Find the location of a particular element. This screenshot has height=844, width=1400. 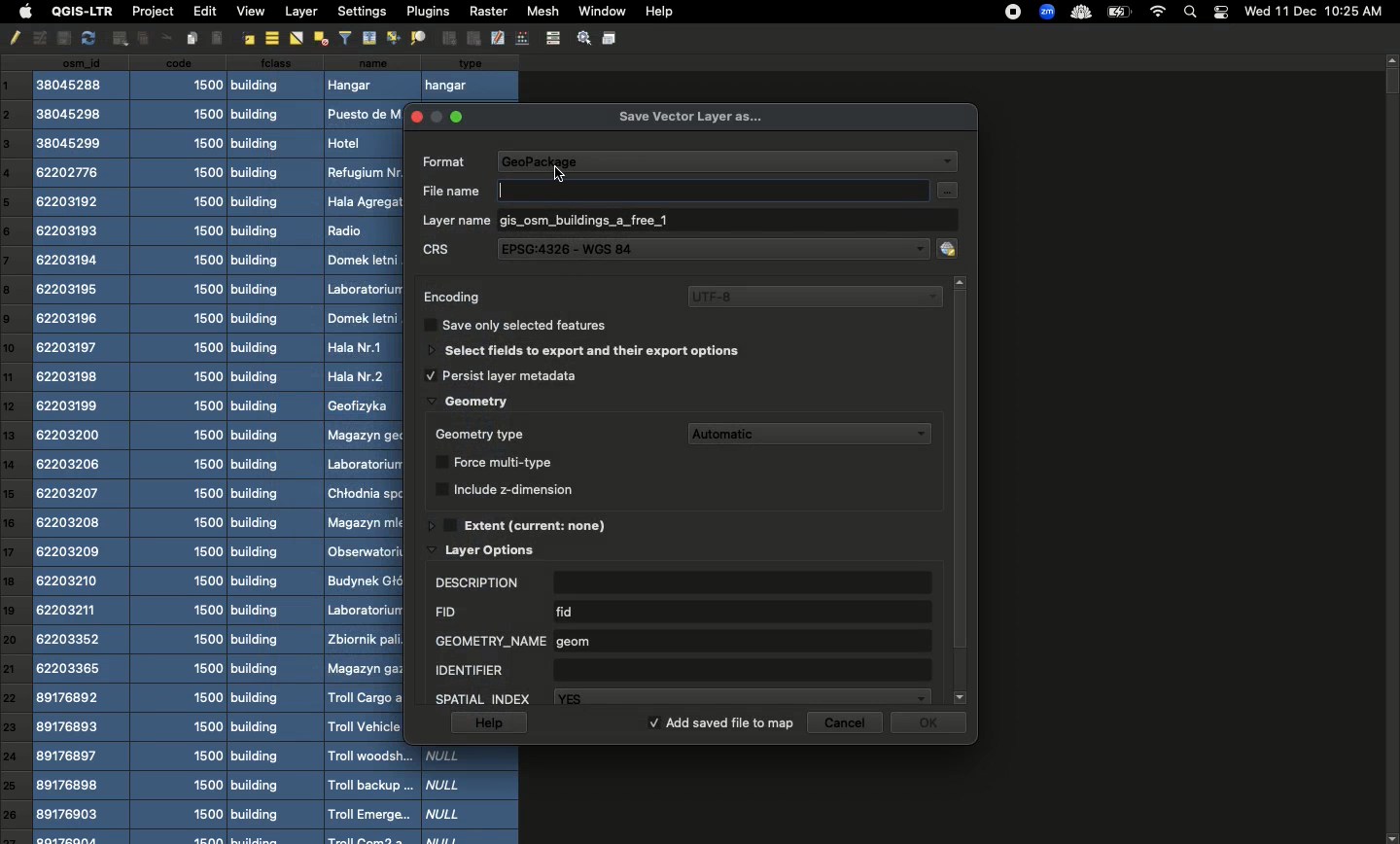

Ungroup Objects is located at coordinates (472, 39).